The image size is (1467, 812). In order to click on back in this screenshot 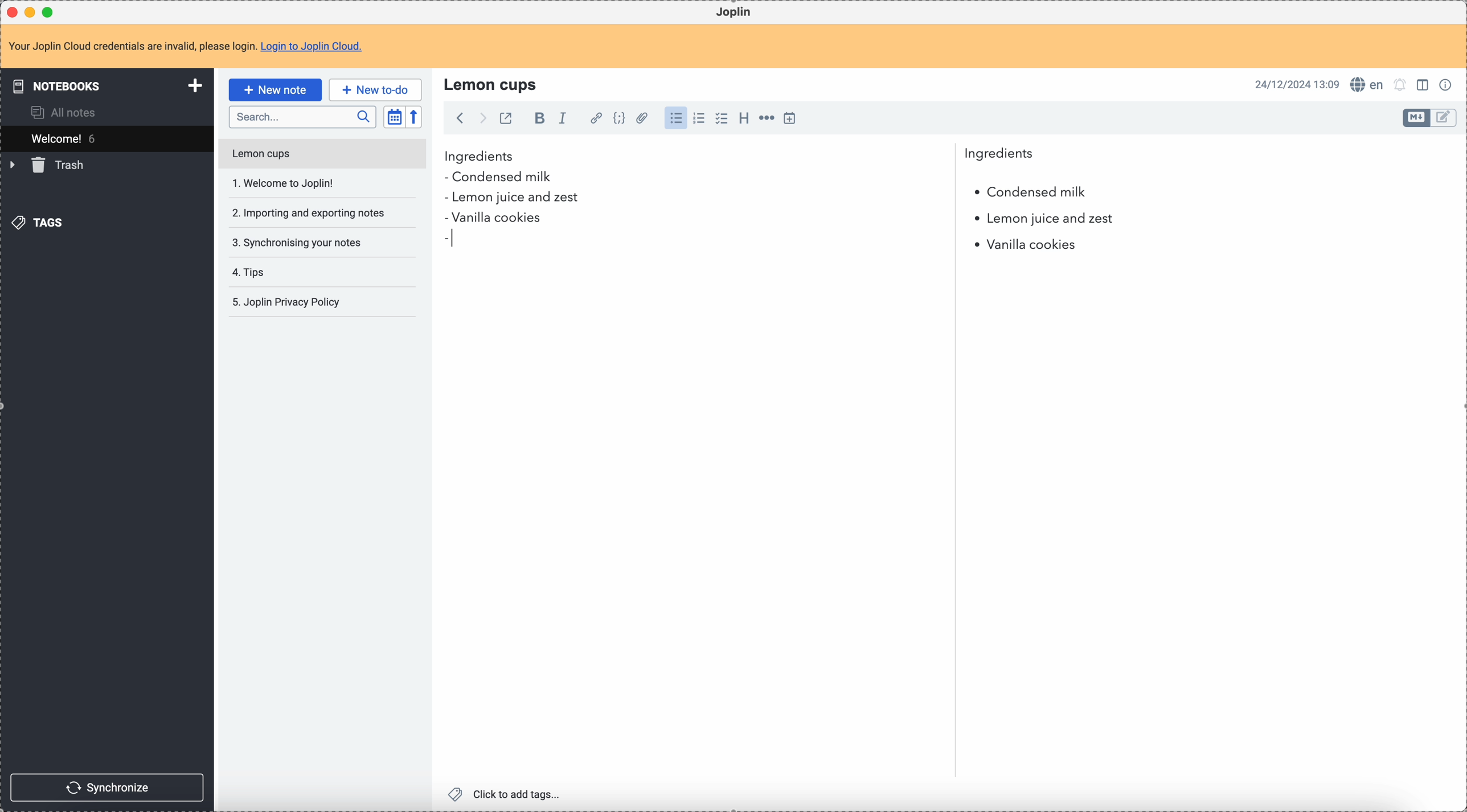, I will do `click(460, 118)`.